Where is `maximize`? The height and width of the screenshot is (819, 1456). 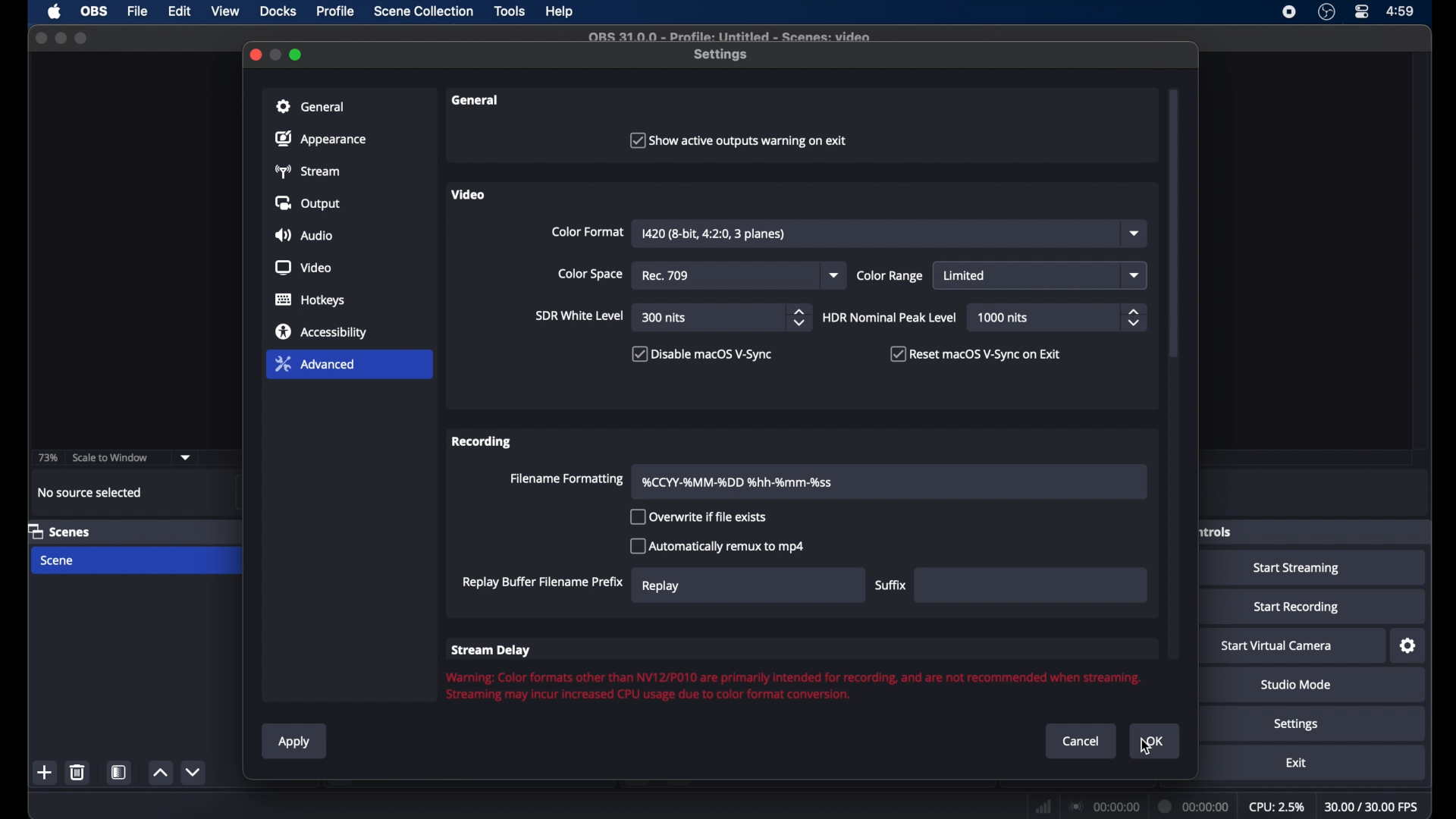
maximize is located at coordinates (297, 55).